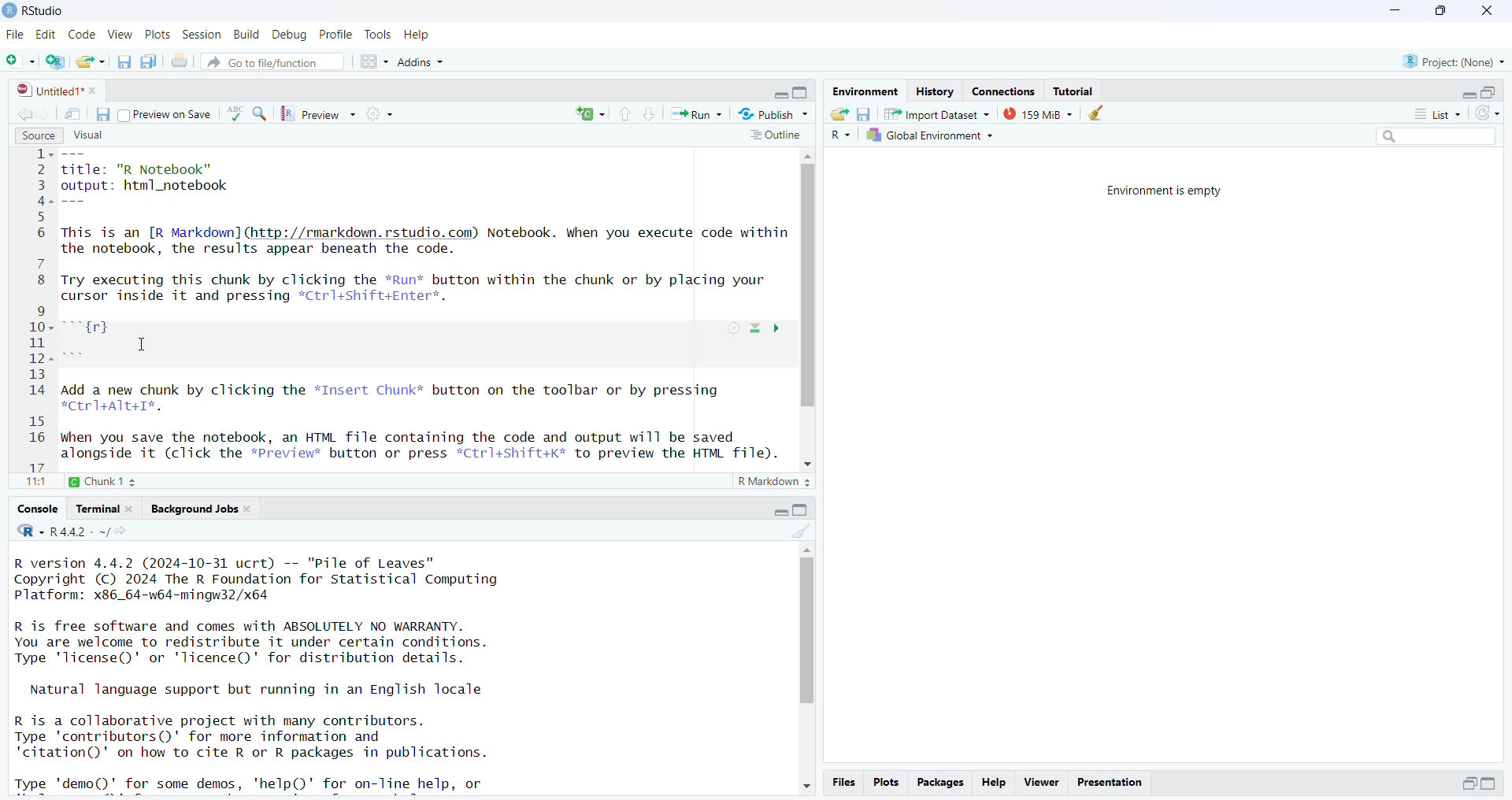  What do you see at coordinates (838, 136) in the screenshot?
I see `R` at bounding box center [838, 136].